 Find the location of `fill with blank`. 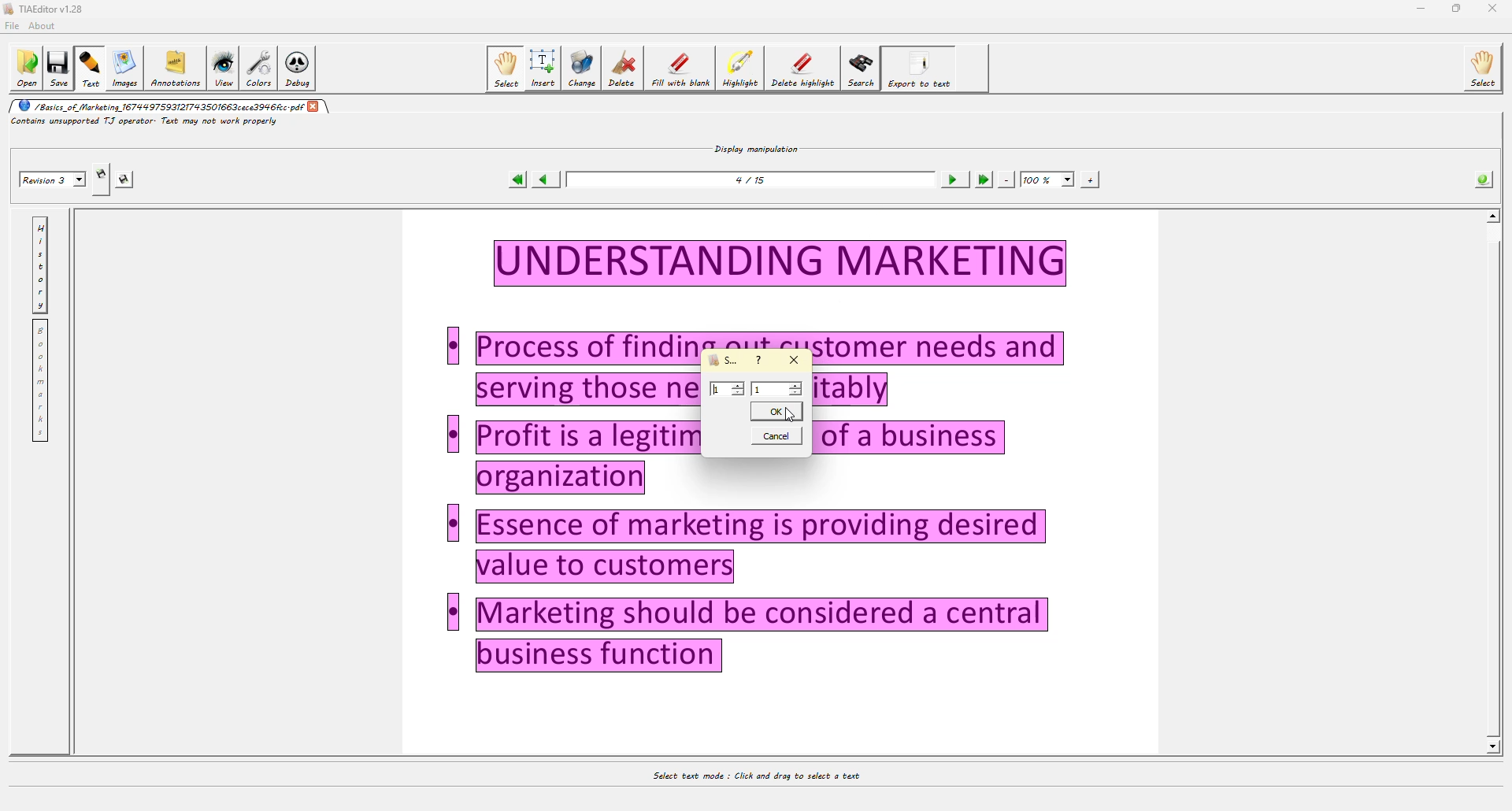

fill with blank is located at coordinates (680, 69).